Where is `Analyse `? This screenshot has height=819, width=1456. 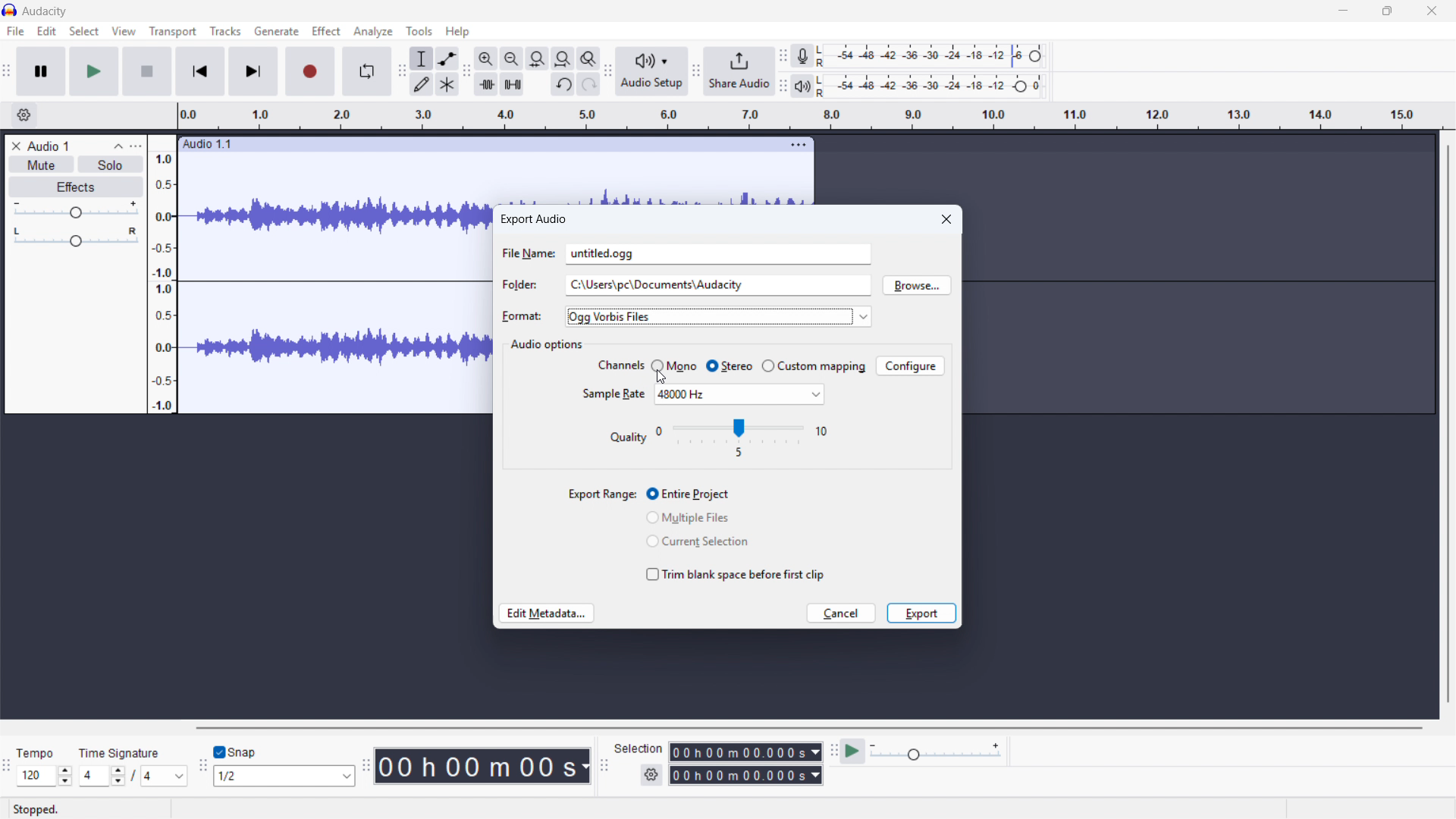
Analyse  is located at coordinates (372, 31).